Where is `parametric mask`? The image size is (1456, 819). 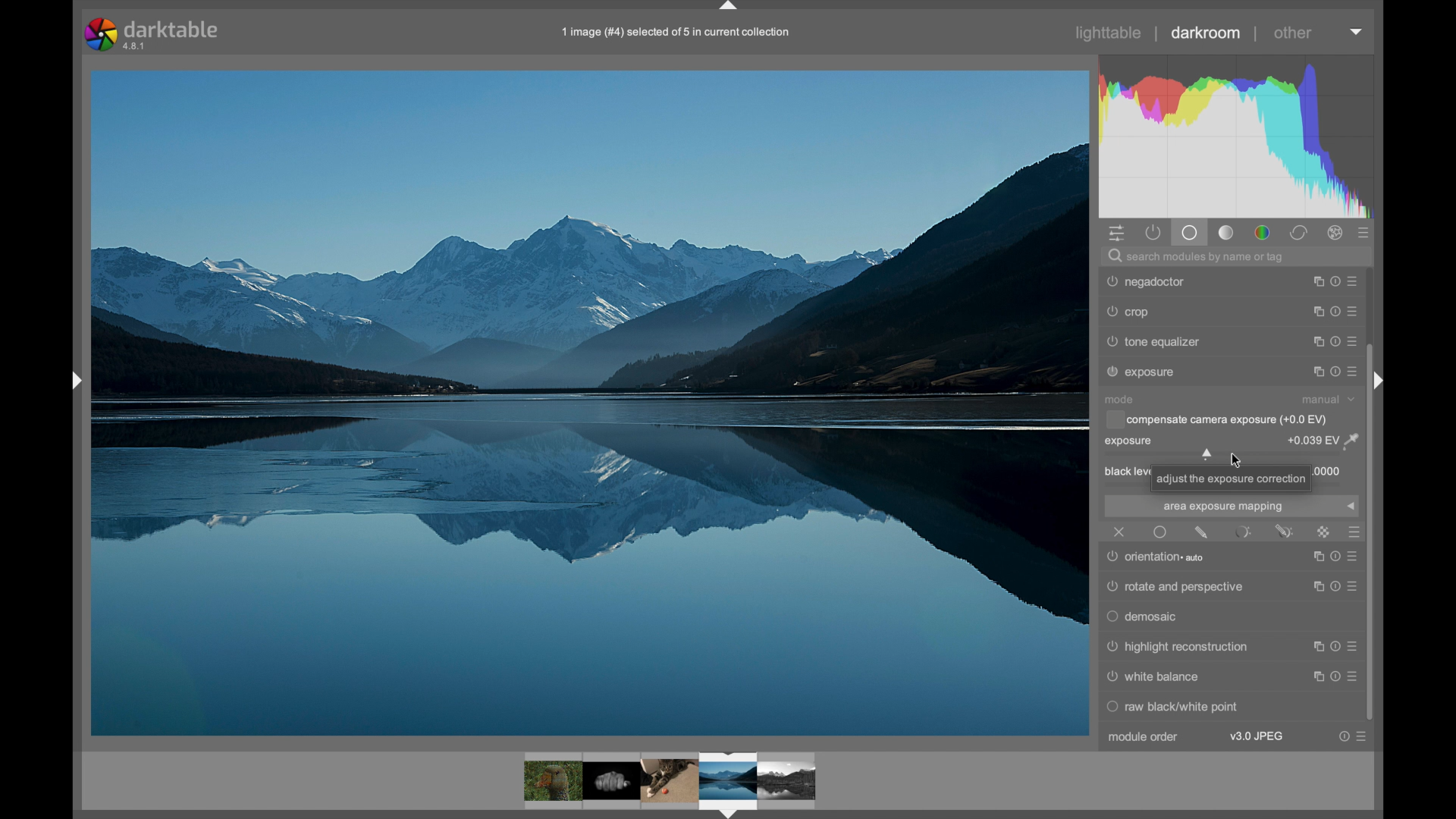 parametric mask is located at coordinates (1244, 532).